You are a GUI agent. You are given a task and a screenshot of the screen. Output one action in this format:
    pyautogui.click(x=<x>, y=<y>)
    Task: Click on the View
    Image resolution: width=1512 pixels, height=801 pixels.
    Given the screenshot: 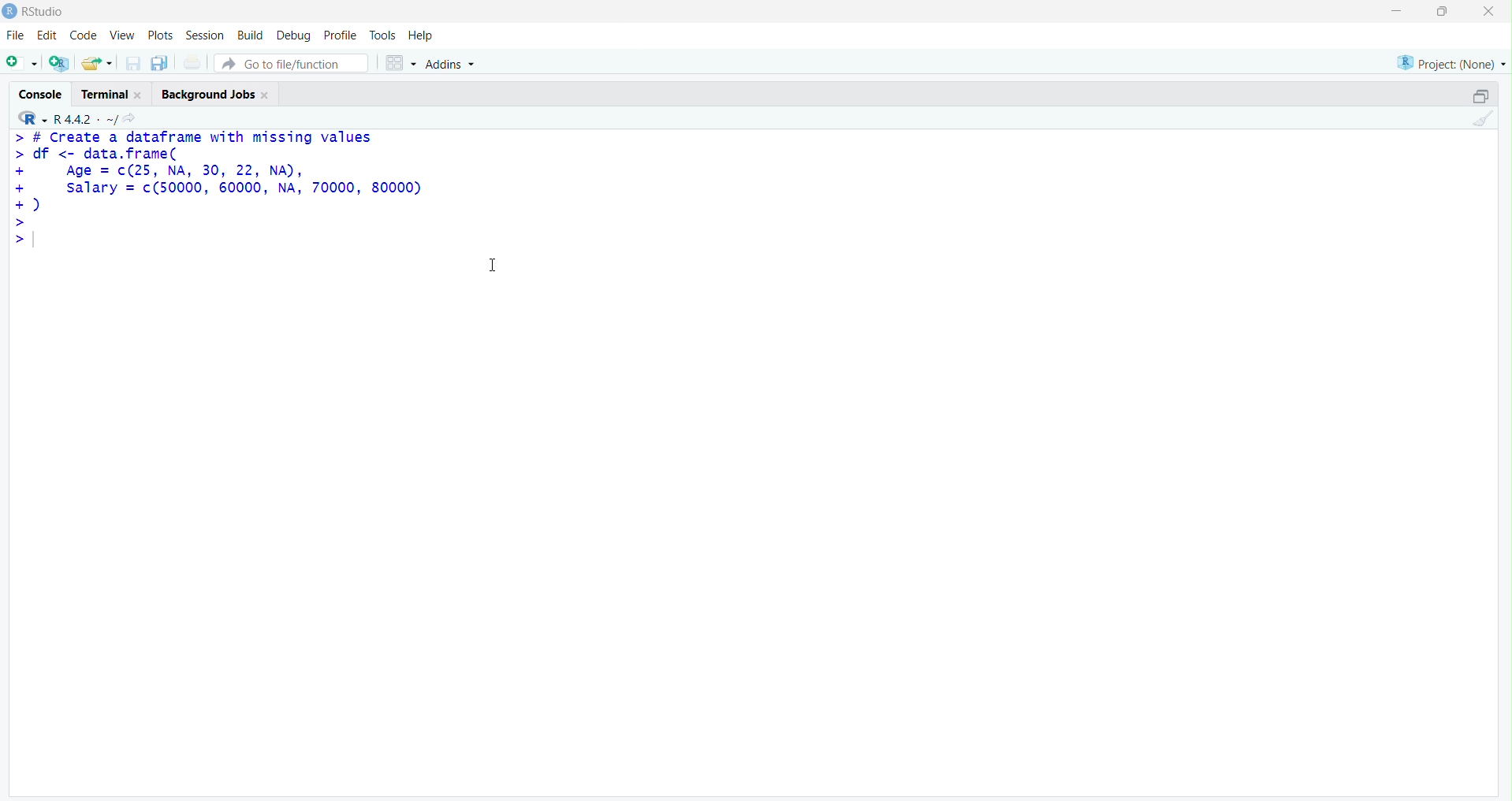 What is the action you would take?
    pyautogui.click(x=121, y=36)
    